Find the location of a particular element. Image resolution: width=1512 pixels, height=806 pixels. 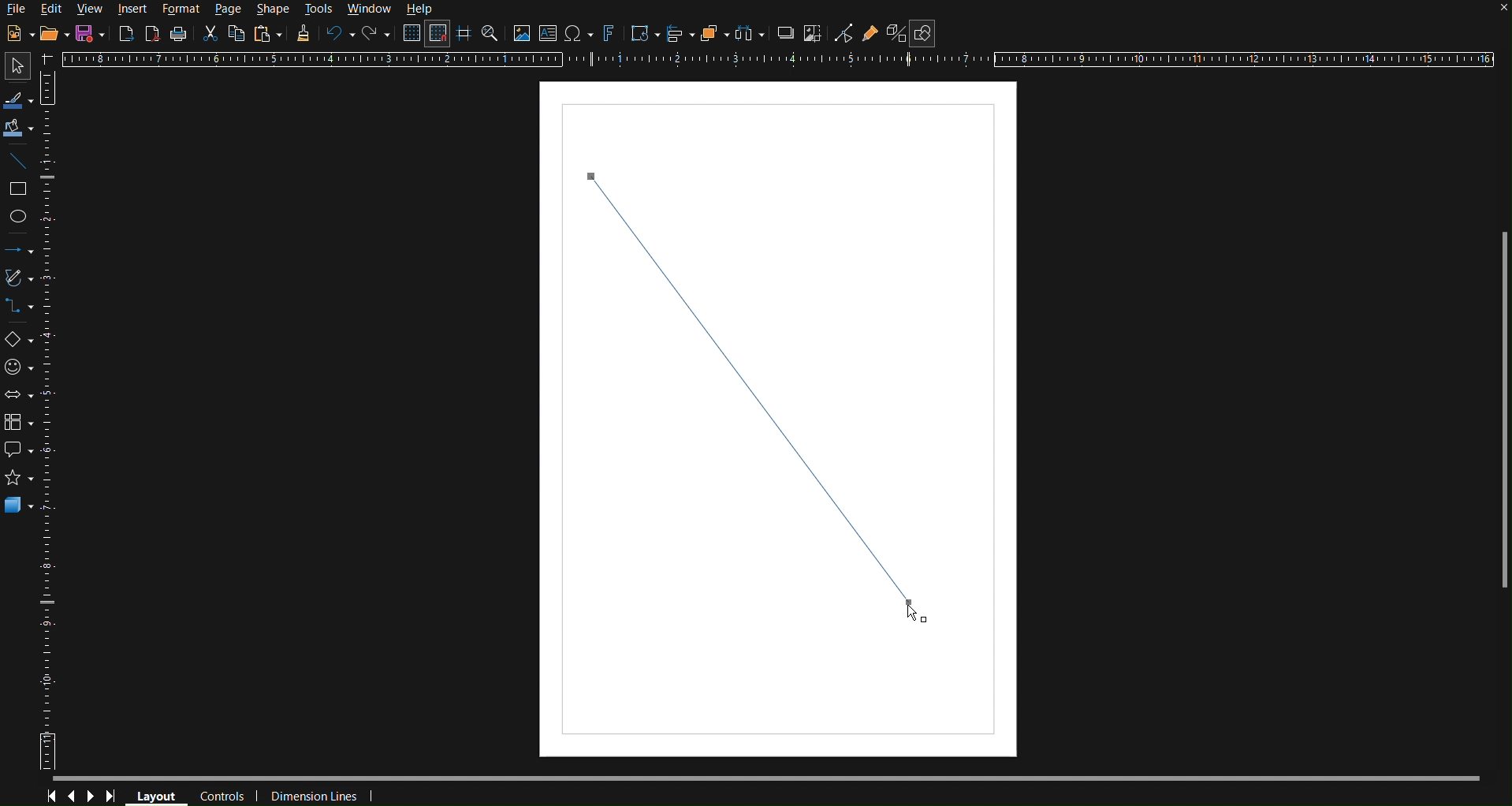

Guidelines while moving is located at coordinates (465, 33).